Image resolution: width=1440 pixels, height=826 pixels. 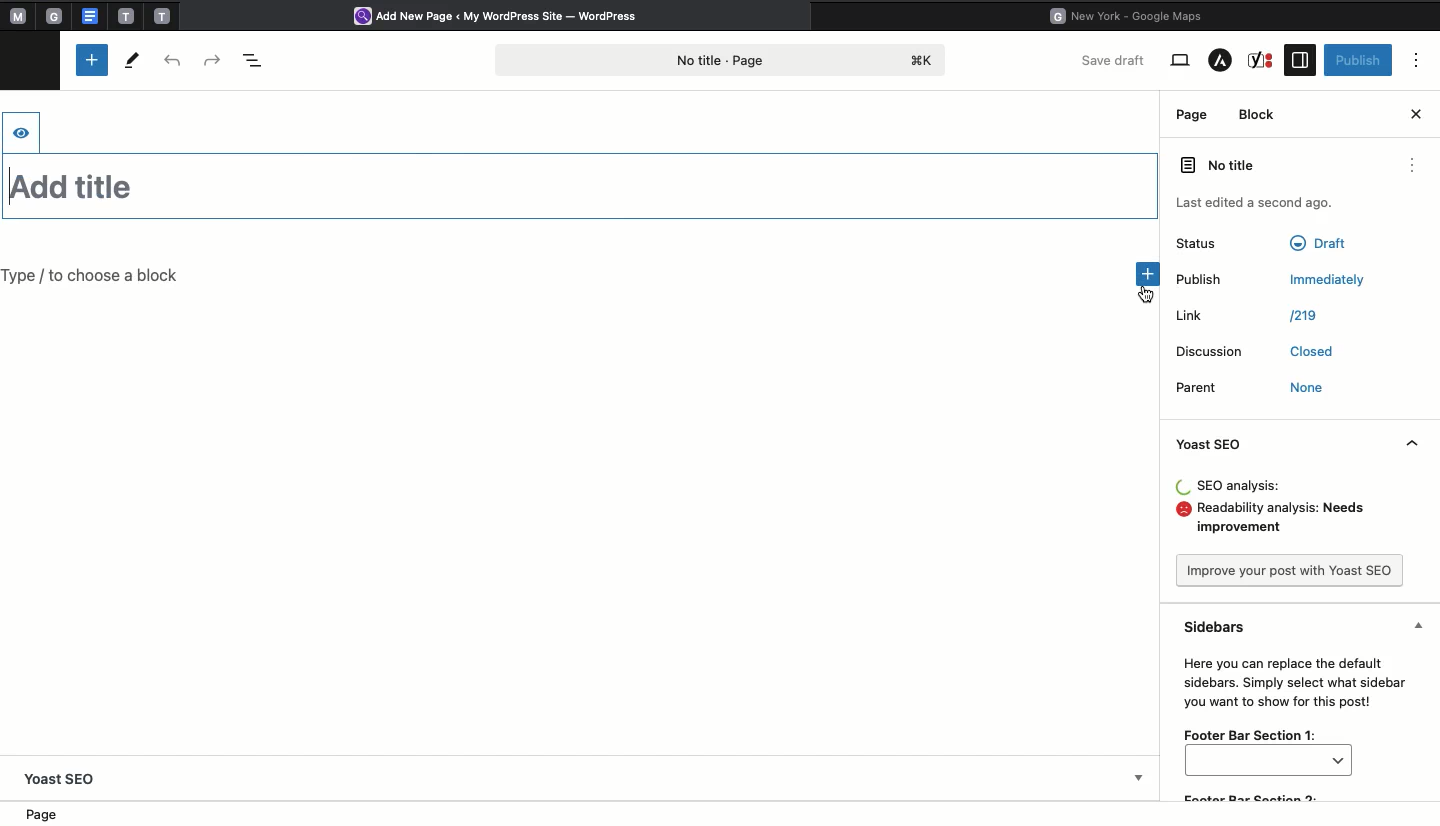 What do you see at coordinates (11, 190) in the screenshot?
I see `text cursor` at bounding box center [11, 190].